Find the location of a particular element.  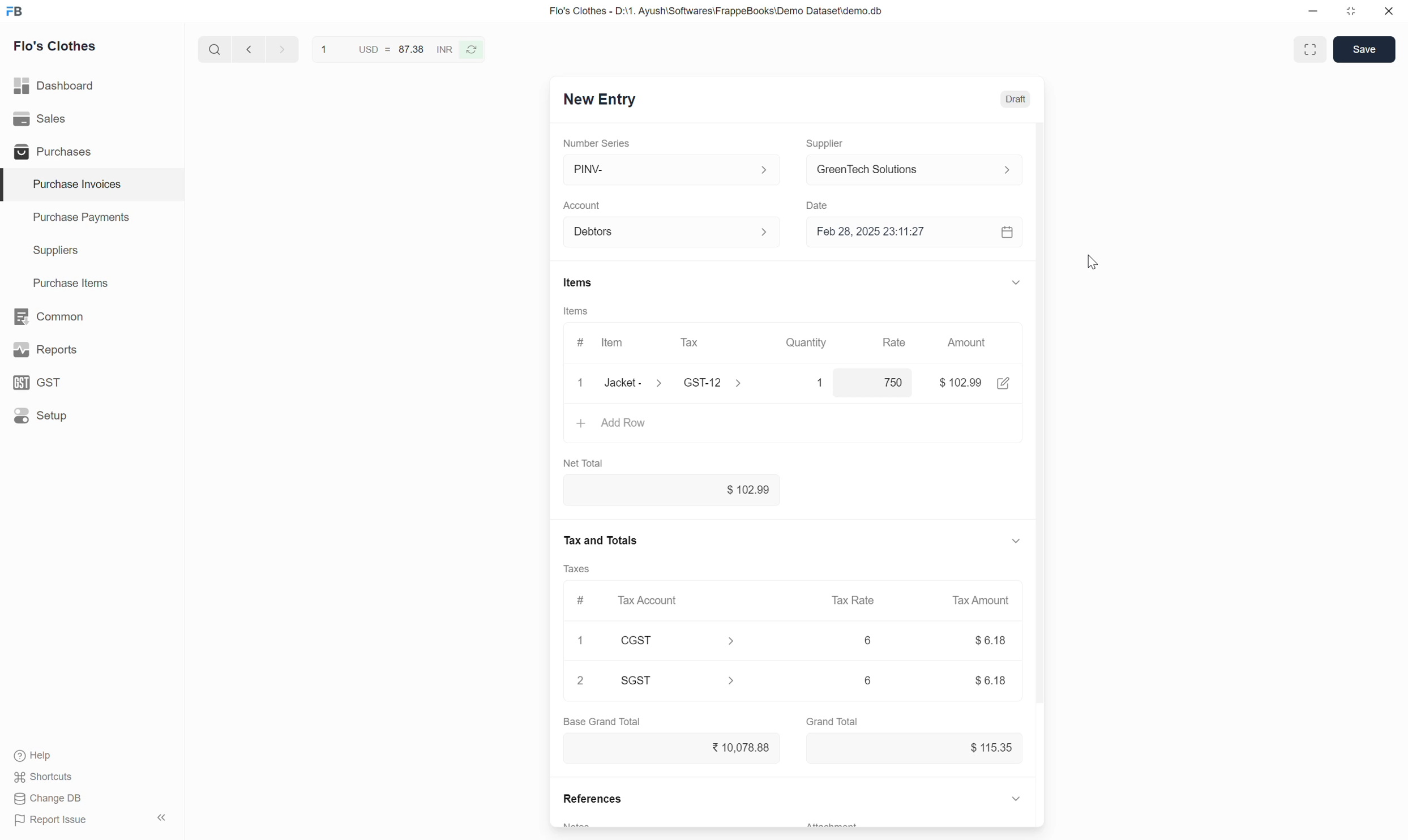

2 is located at coordinates (580, 680).